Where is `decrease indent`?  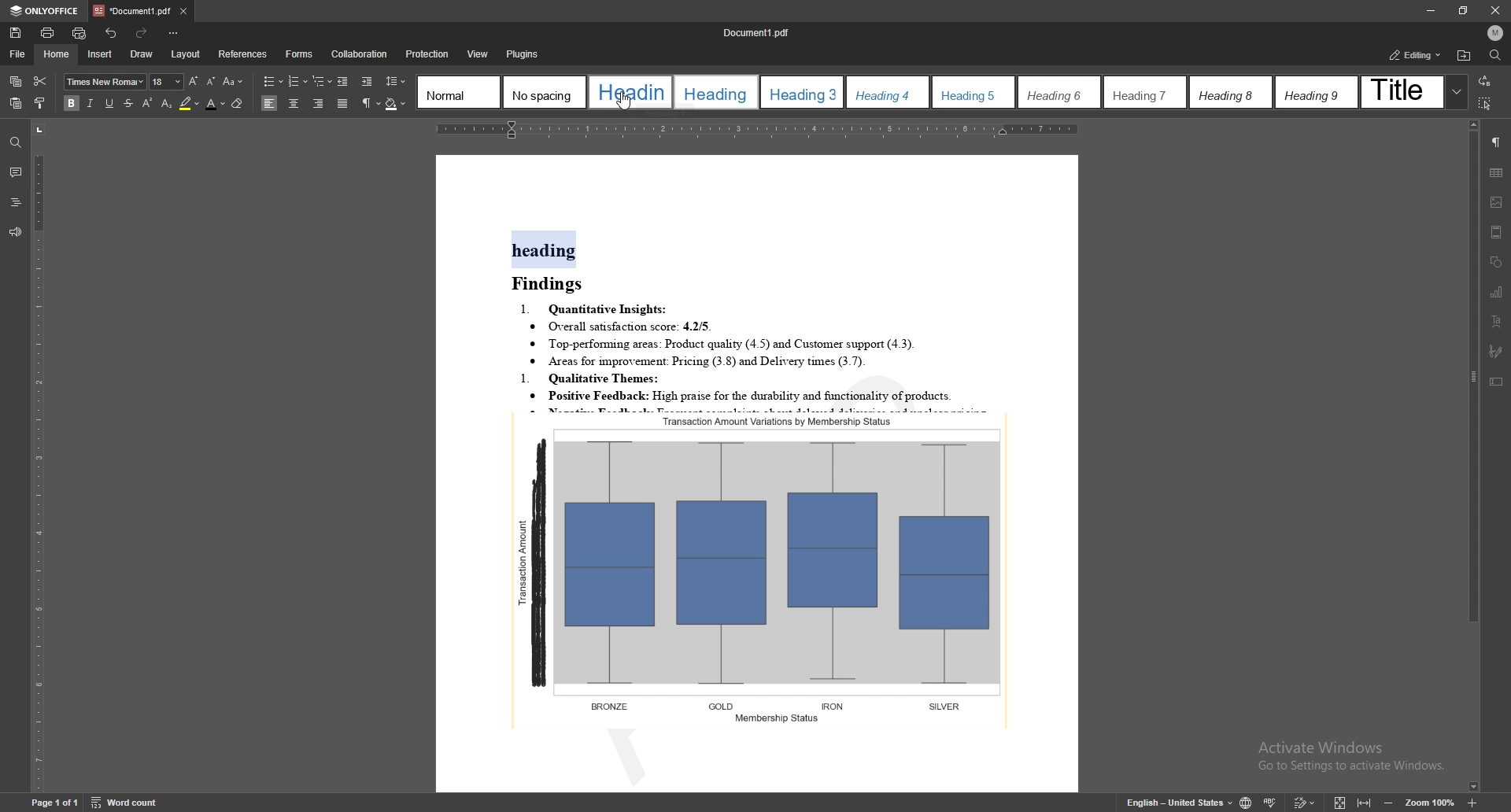
decrease indent is located at coordinates (343, 81).